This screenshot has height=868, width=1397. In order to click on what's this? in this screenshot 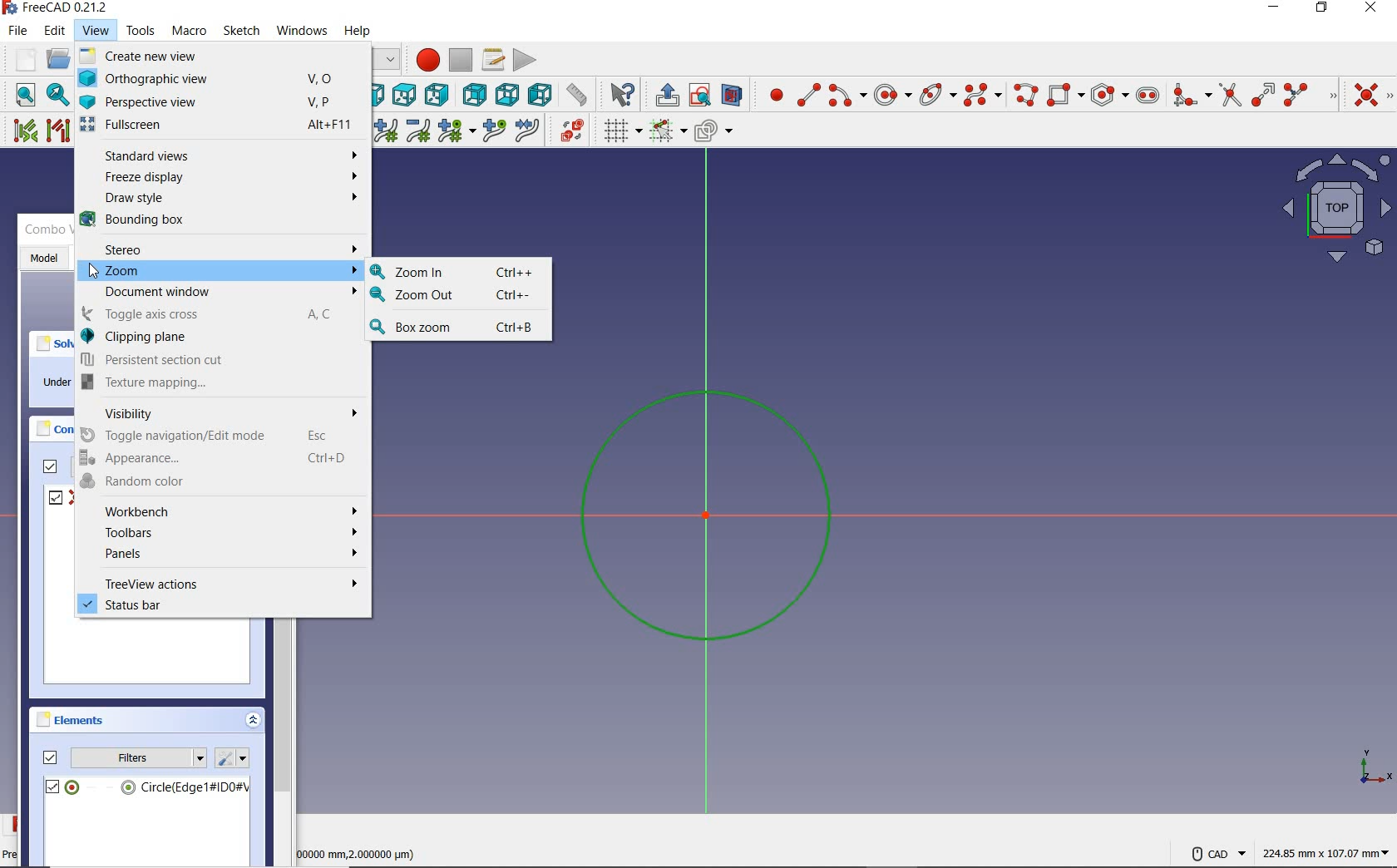, I will do `click(620, 94)`.